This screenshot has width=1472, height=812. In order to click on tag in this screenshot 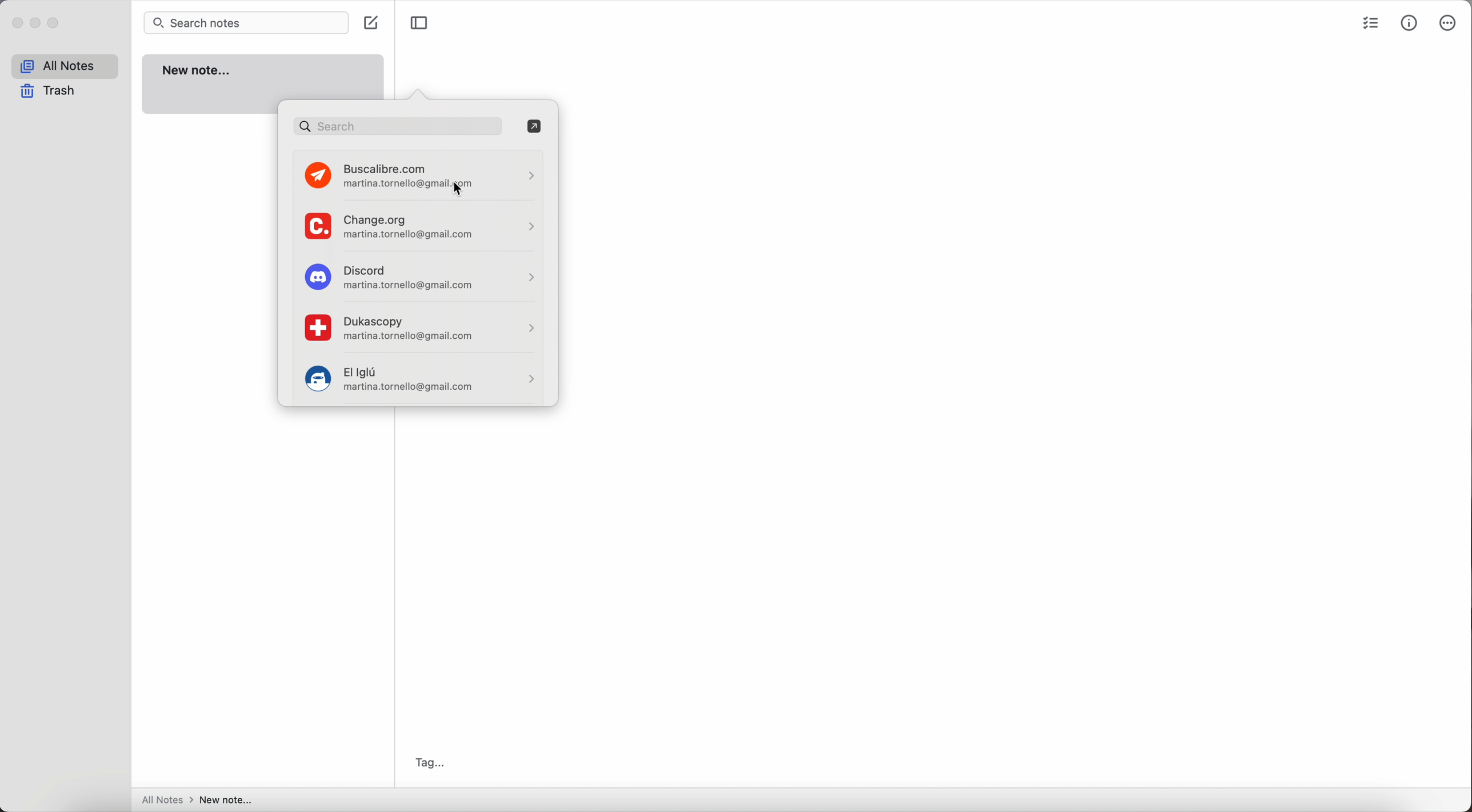, I will do `click(434, 761)`.